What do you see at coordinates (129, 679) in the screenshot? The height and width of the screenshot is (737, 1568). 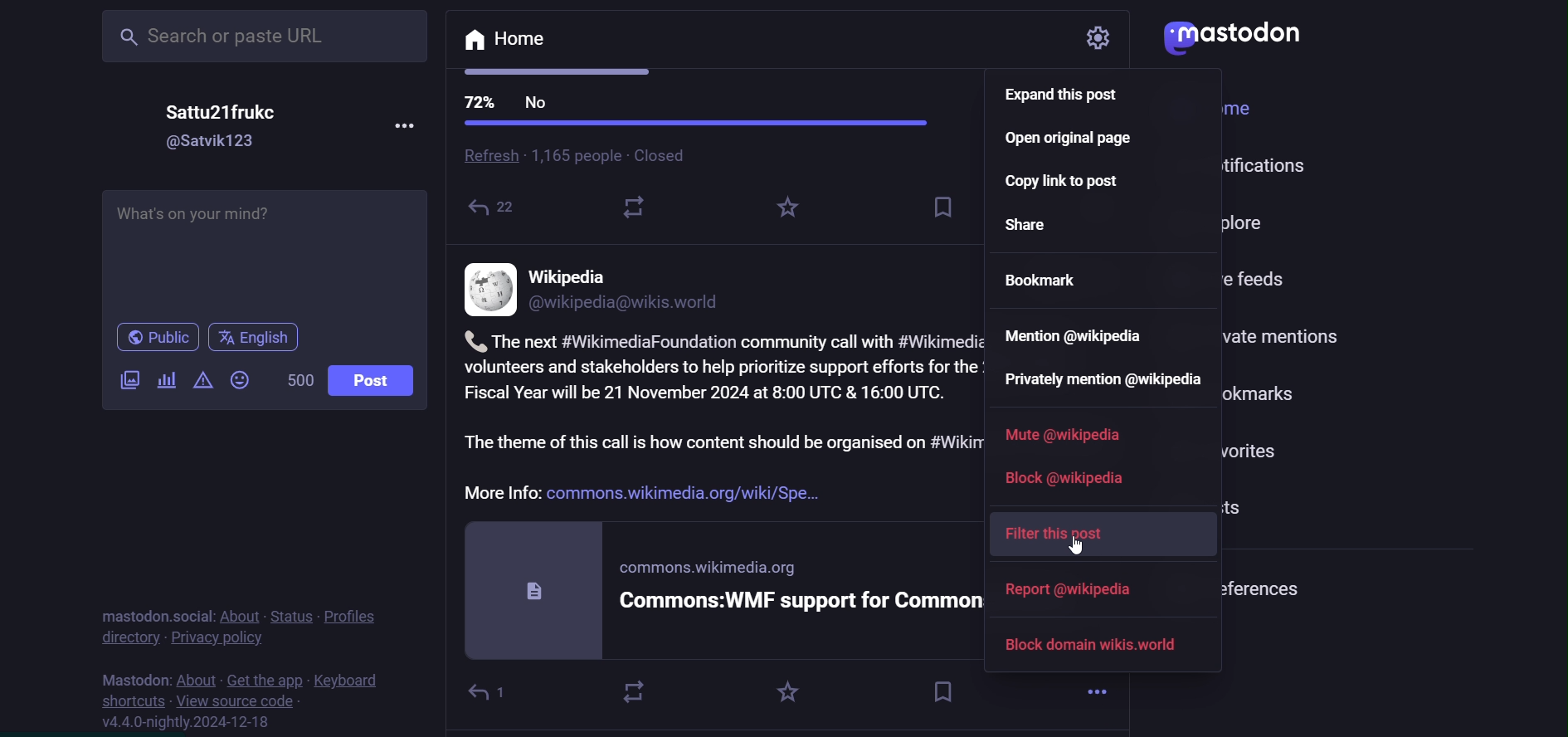 I see `mastodon` at bounding box center [129, 679].